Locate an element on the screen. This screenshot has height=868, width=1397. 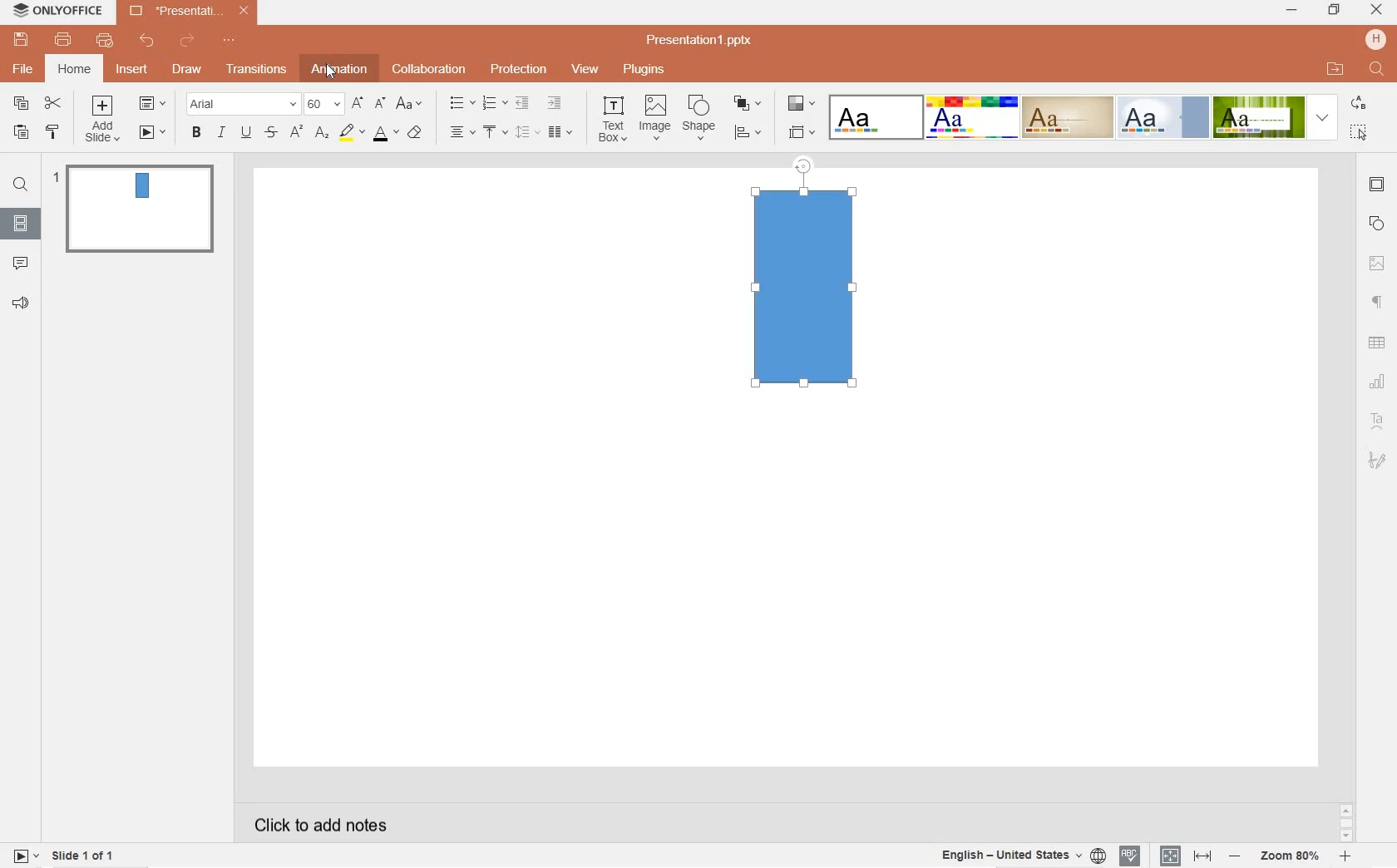
RESTORE is located at coordinates (1330, 10).